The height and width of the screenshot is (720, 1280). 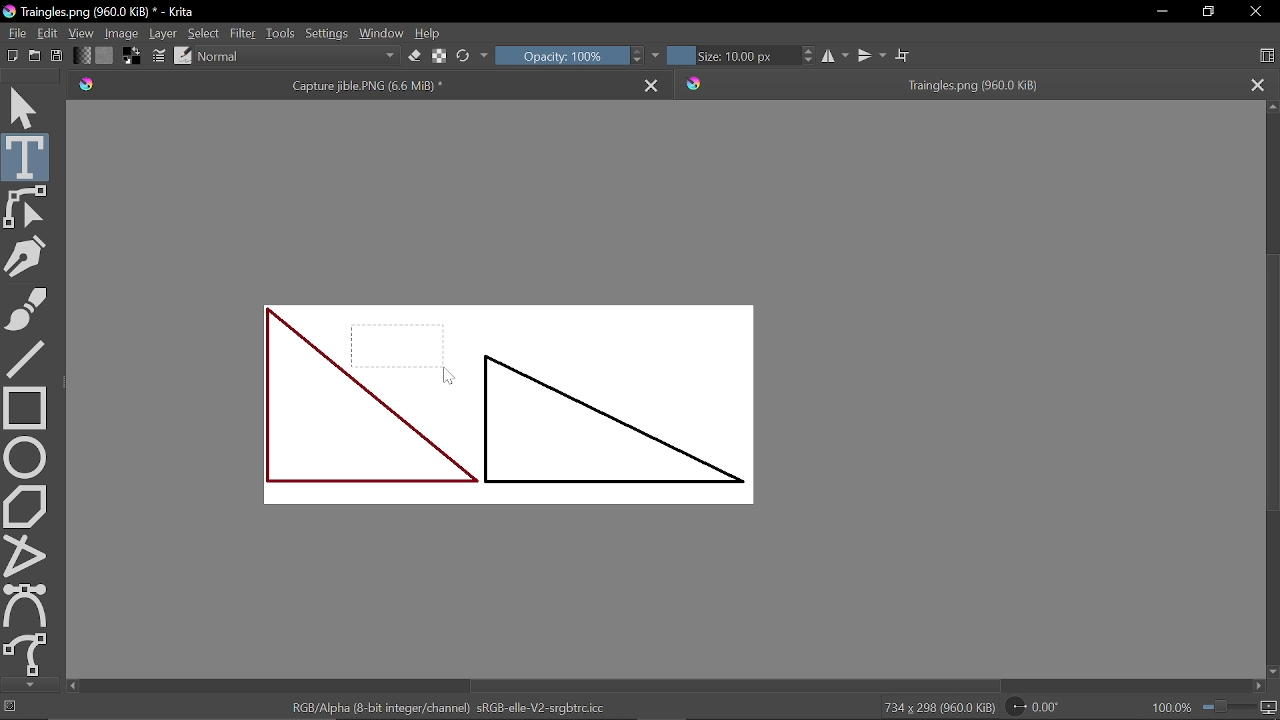 I want to click on Edit brush settings , so click(x=160, y=57).